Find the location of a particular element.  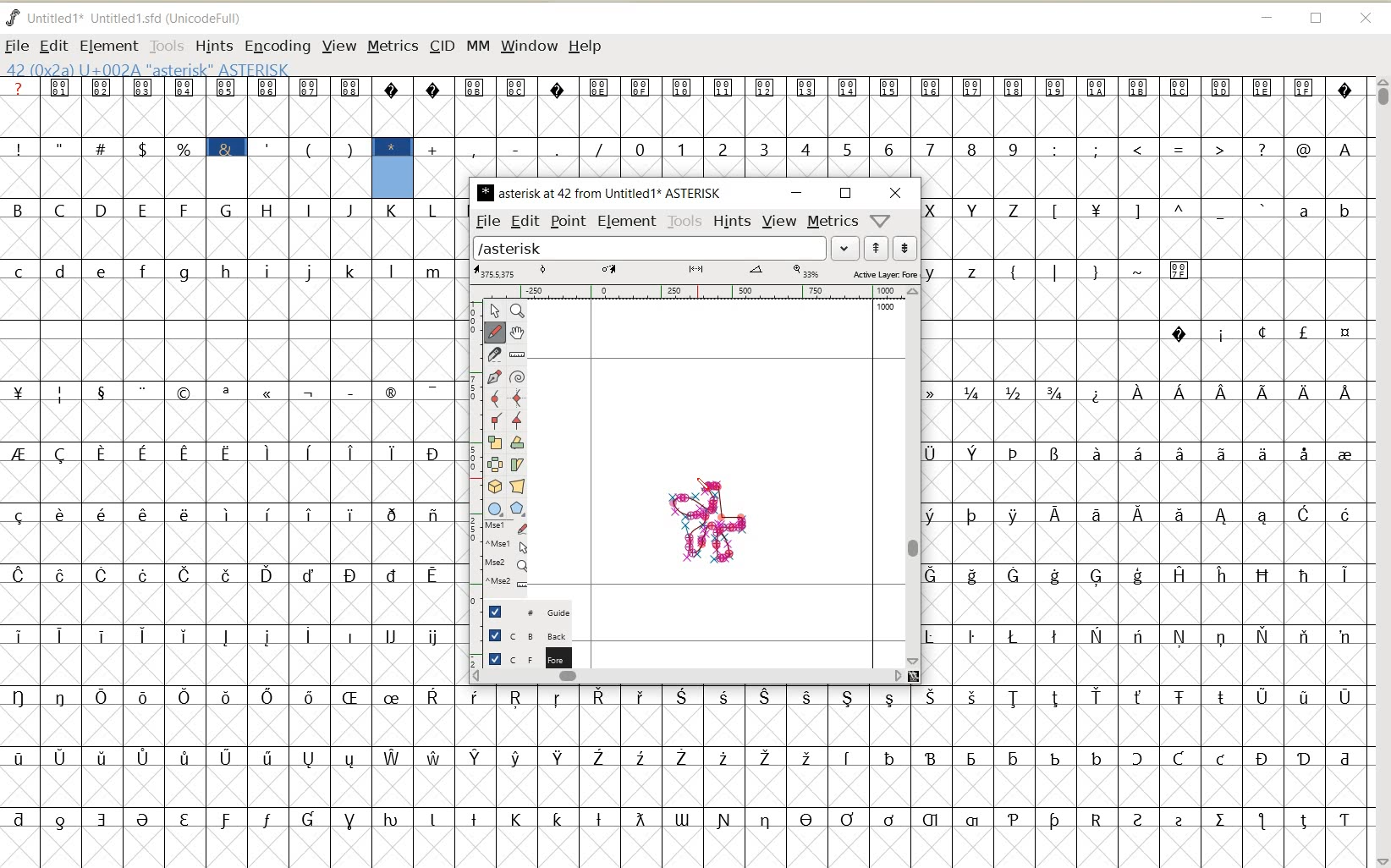

CID is located at coordinates (440, 46).